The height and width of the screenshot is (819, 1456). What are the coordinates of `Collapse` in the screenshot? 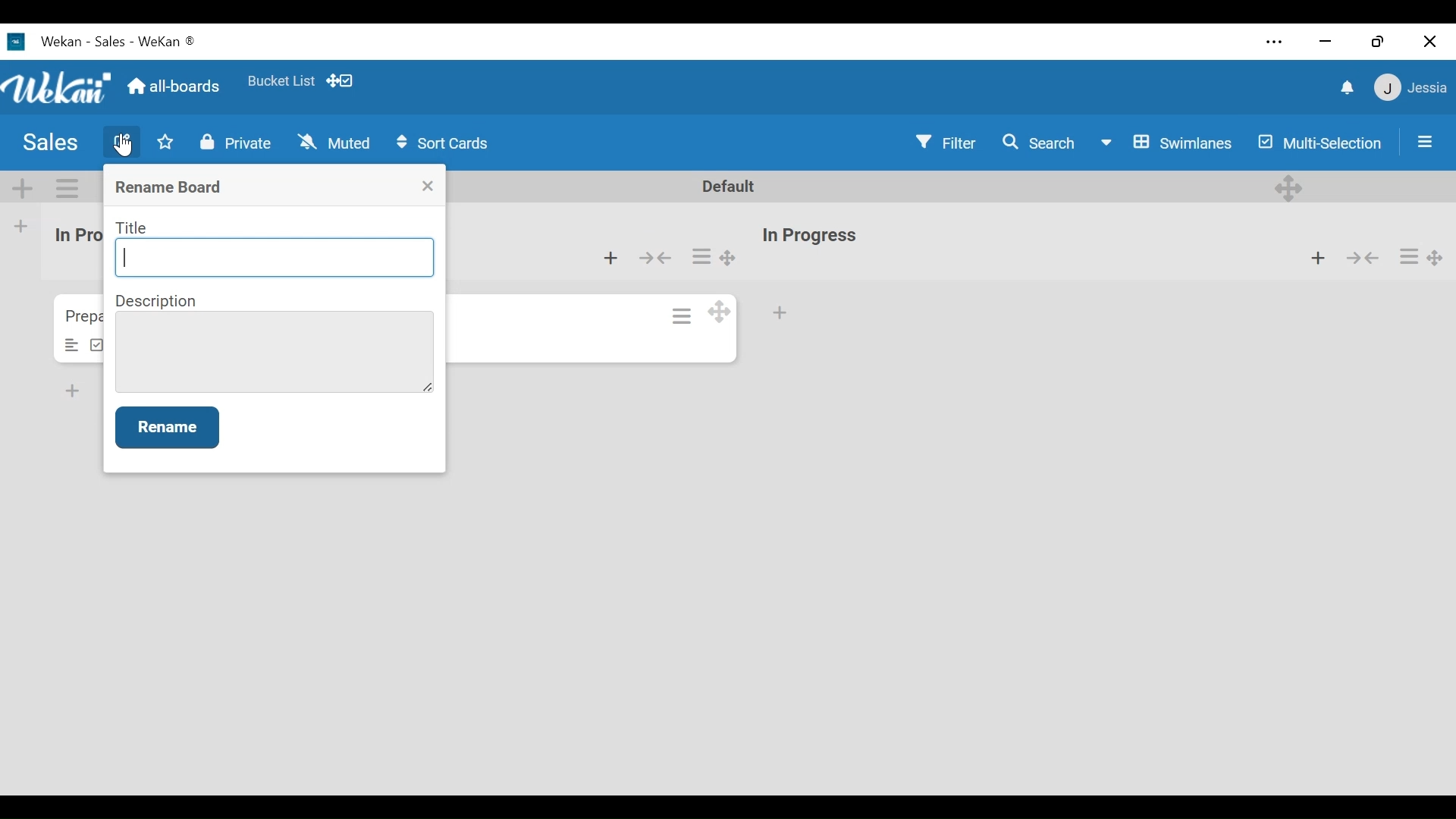 It's located at (1361, 256).